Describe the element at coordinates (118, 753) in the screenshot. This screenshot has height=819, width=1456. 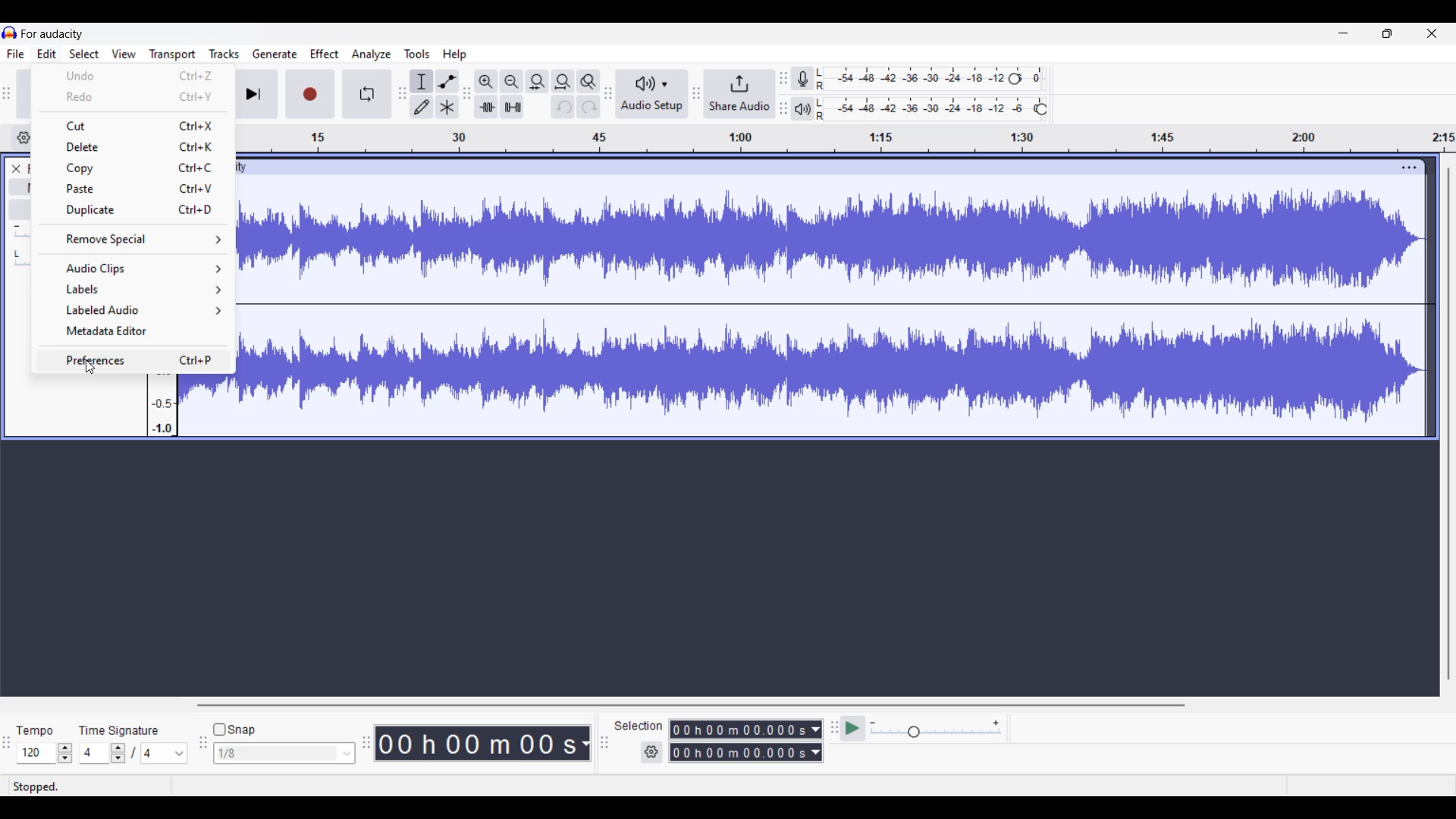
I see `Increase/Decrease time signature` at that location.